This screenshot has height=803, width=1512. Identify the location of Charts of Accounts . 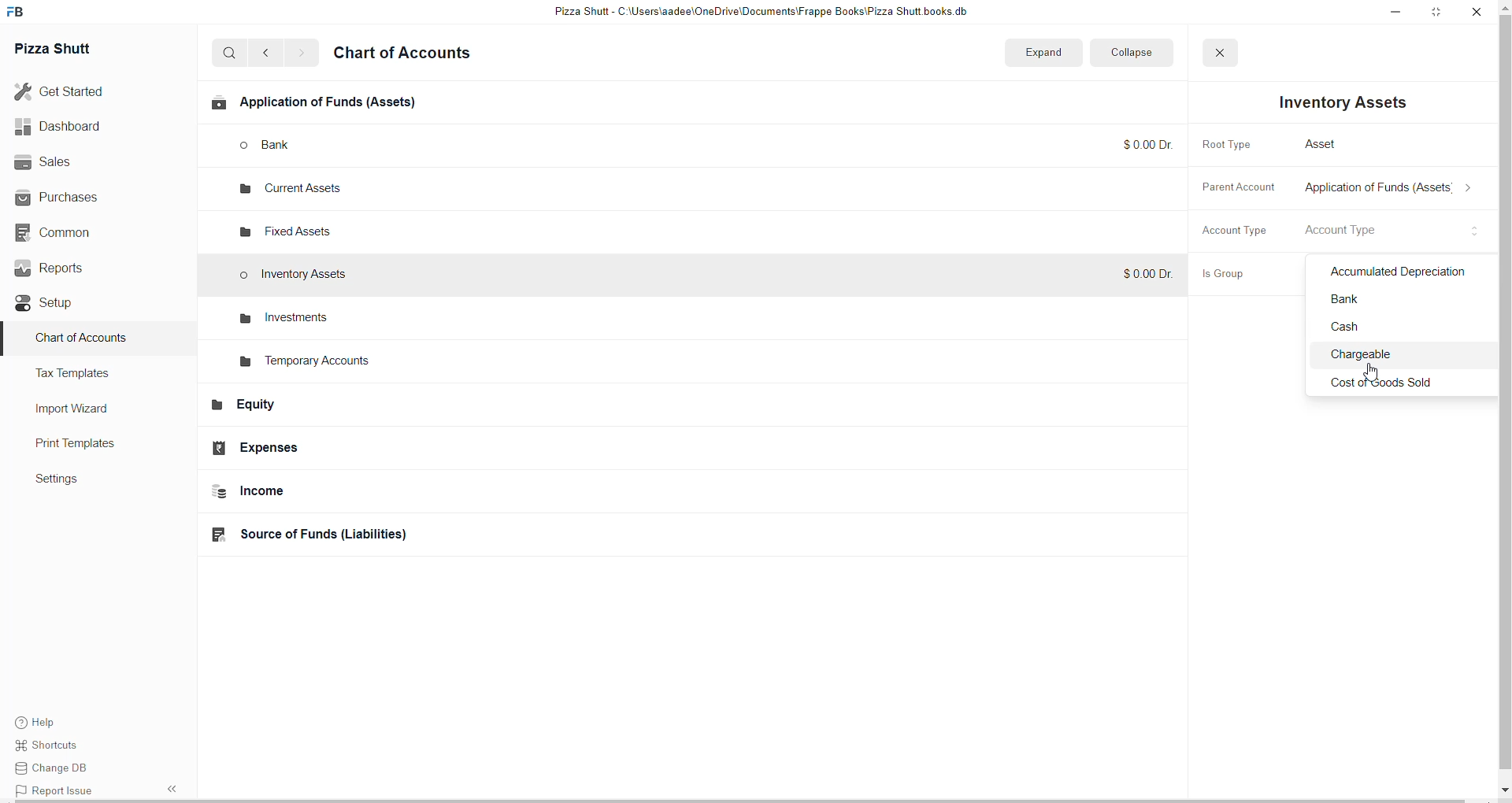
(83, 342).